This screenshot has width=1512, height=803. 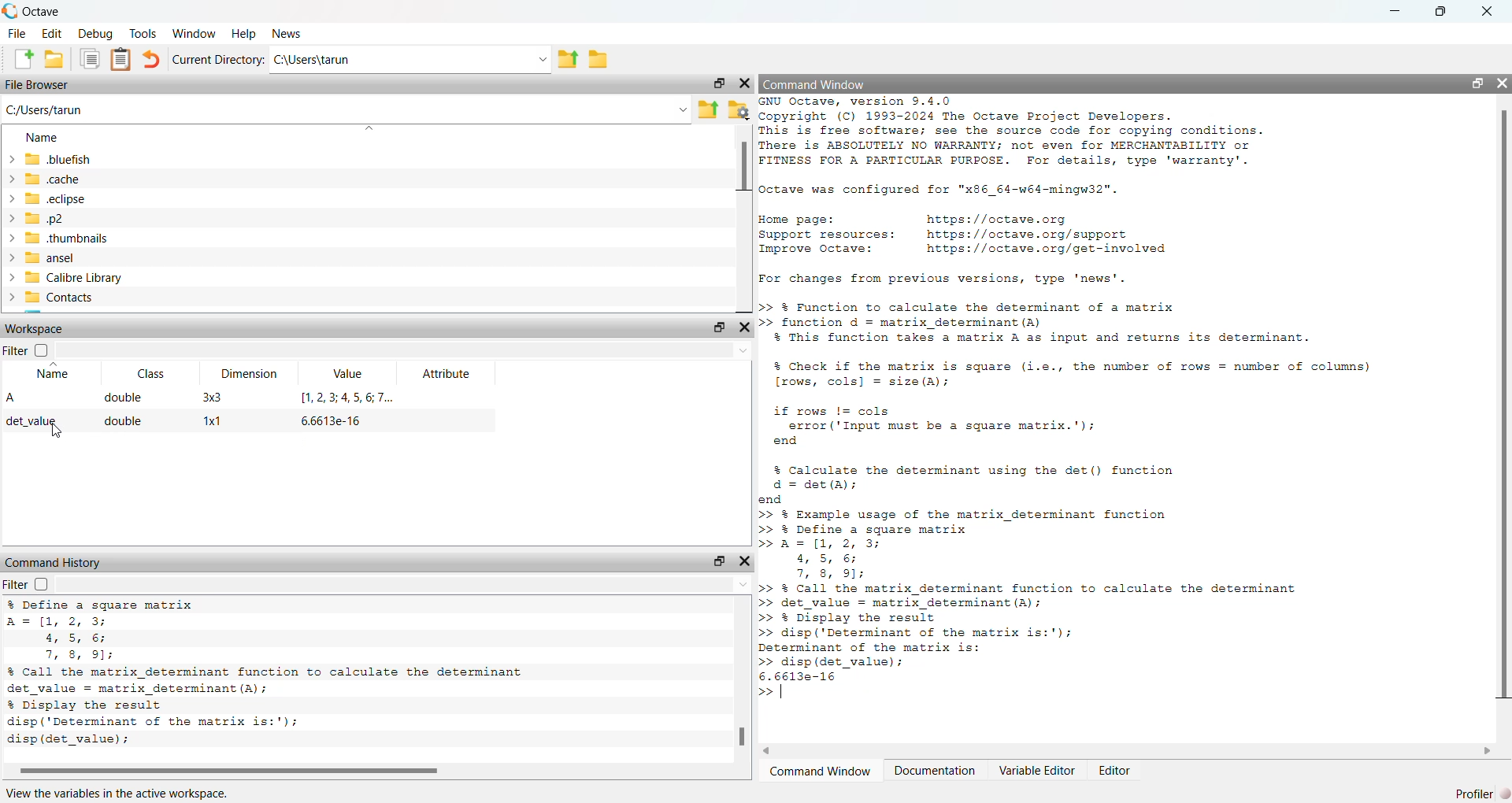 I want to click on C:/Users/tarun, so click(x=346, y=112).